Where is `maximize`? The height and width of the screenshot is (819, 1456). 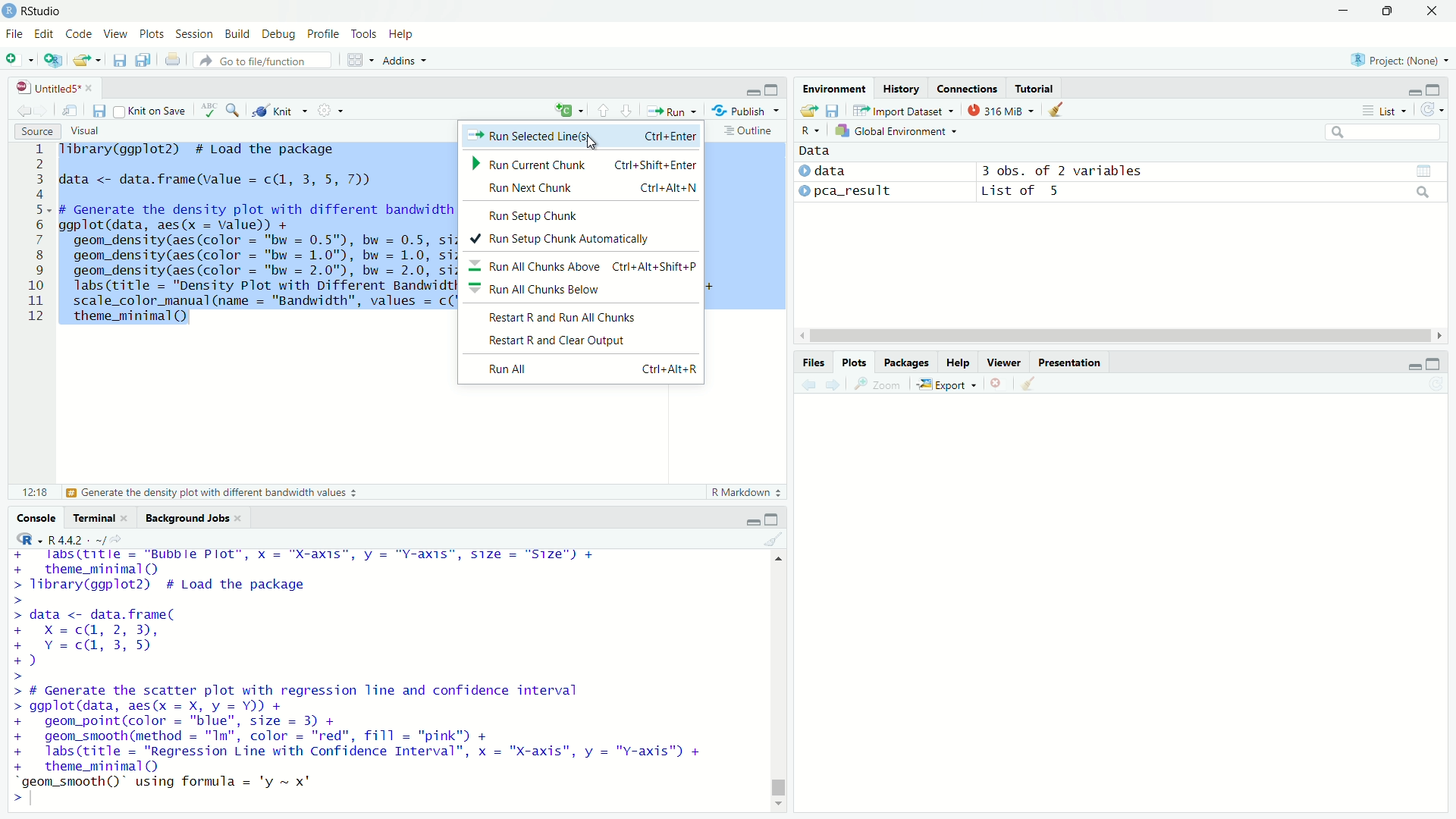 maximize is located at coordinates (1433, 89).